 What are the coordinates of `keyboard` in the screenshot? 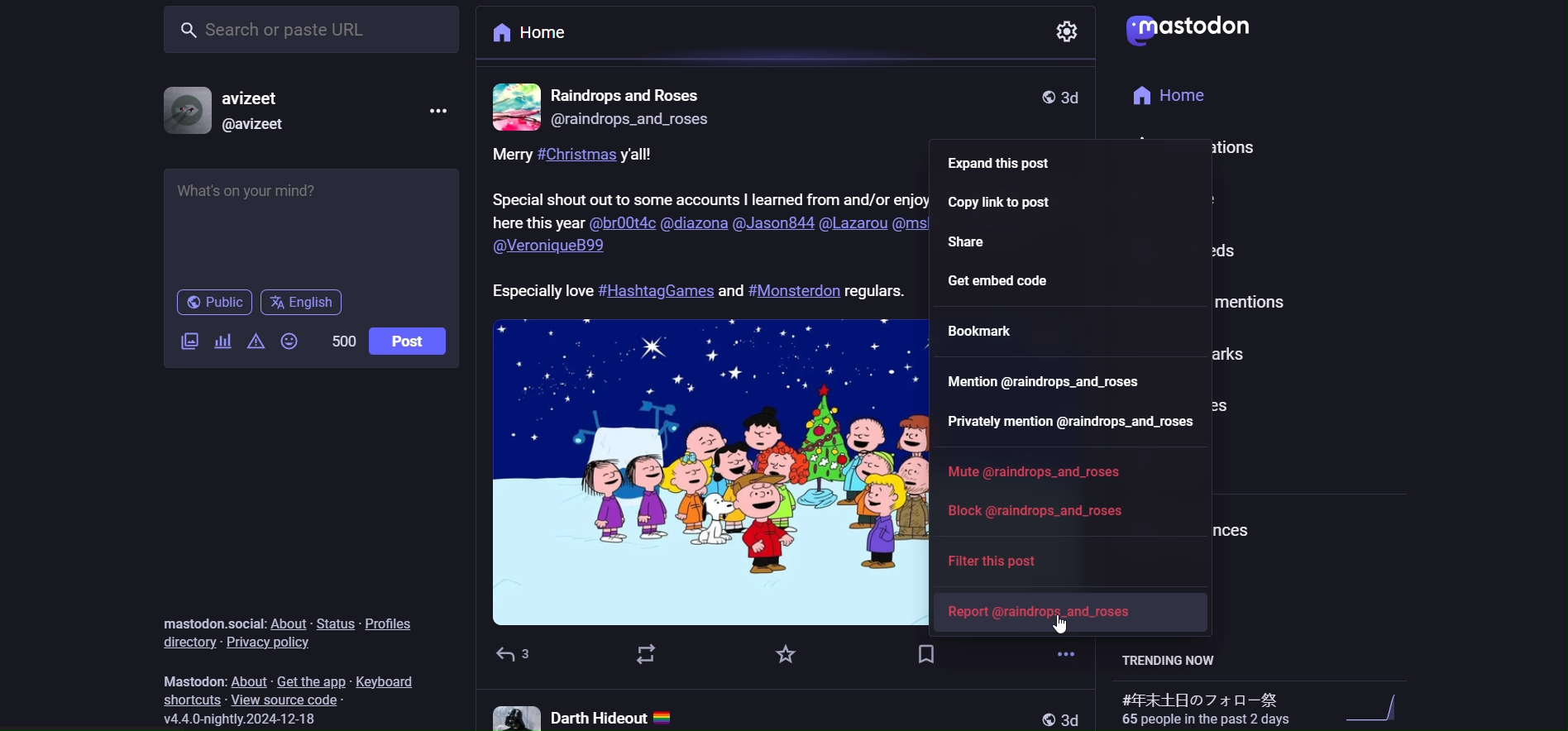 It's located at (389, 681).